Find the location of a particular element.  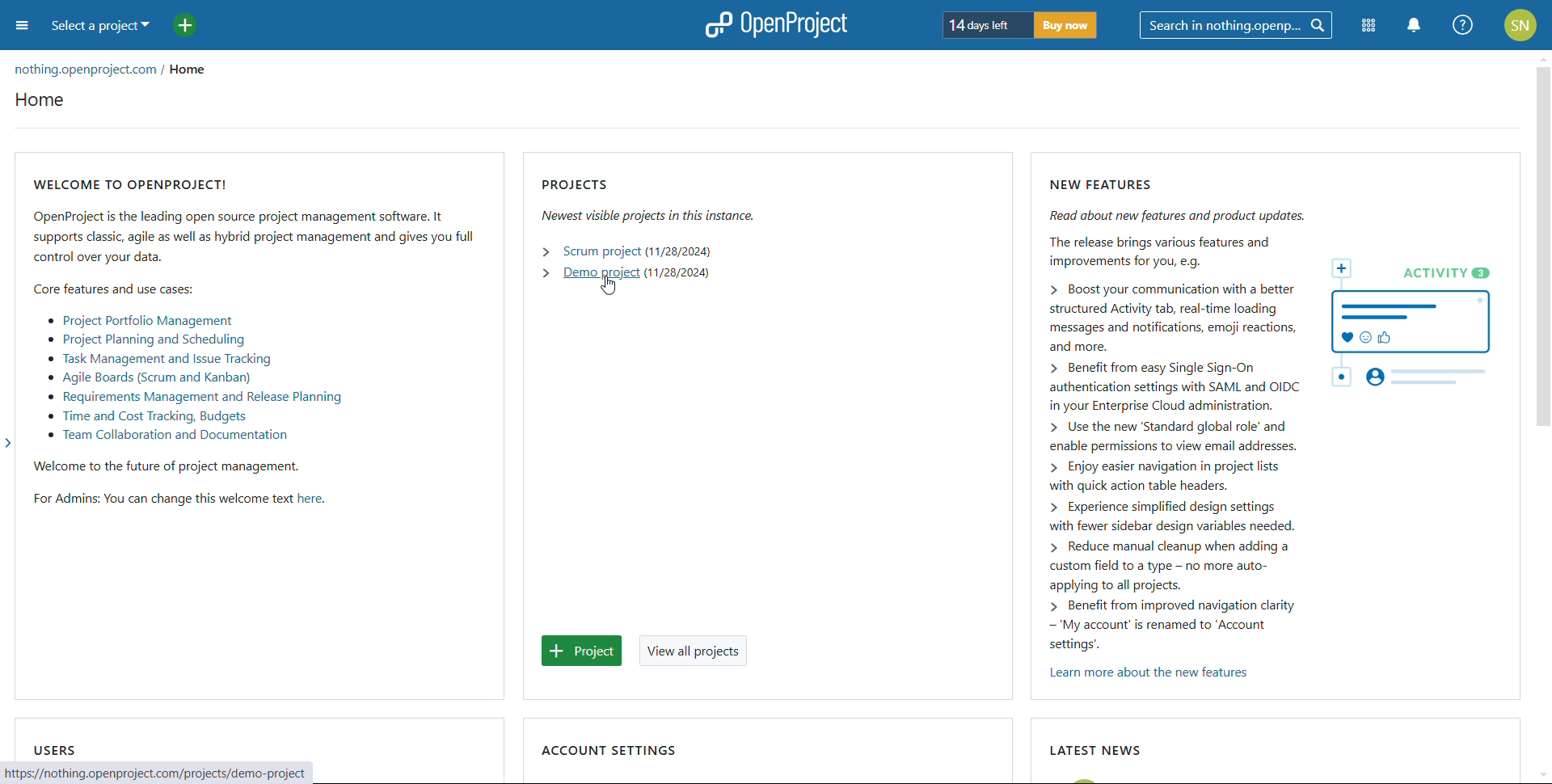

scrollbar is located at coordinates (1545, 247).